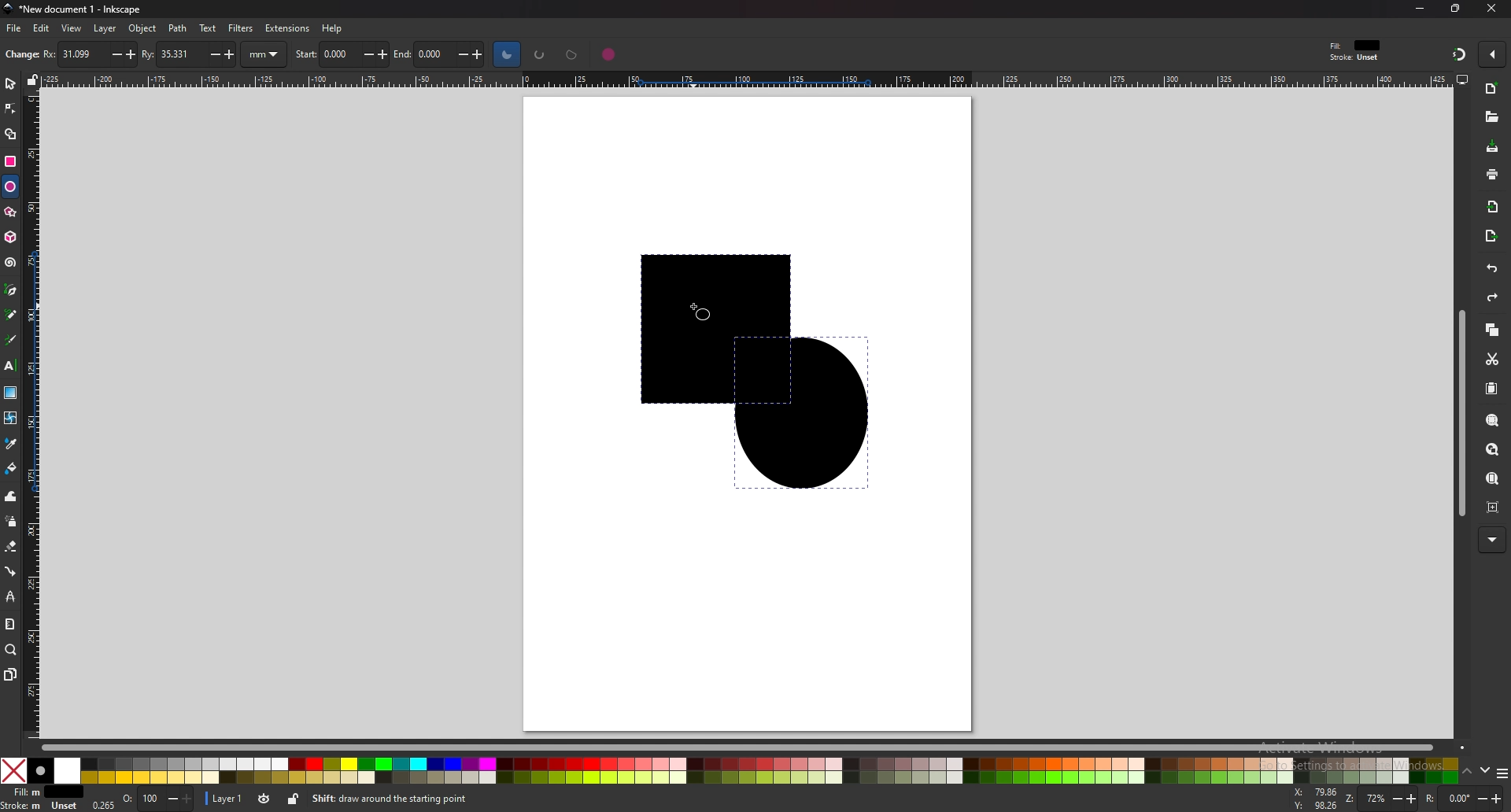  What do you see at coordinates (142, 28) in the screenshot?
I see `object` at bounding box center [142, 28].